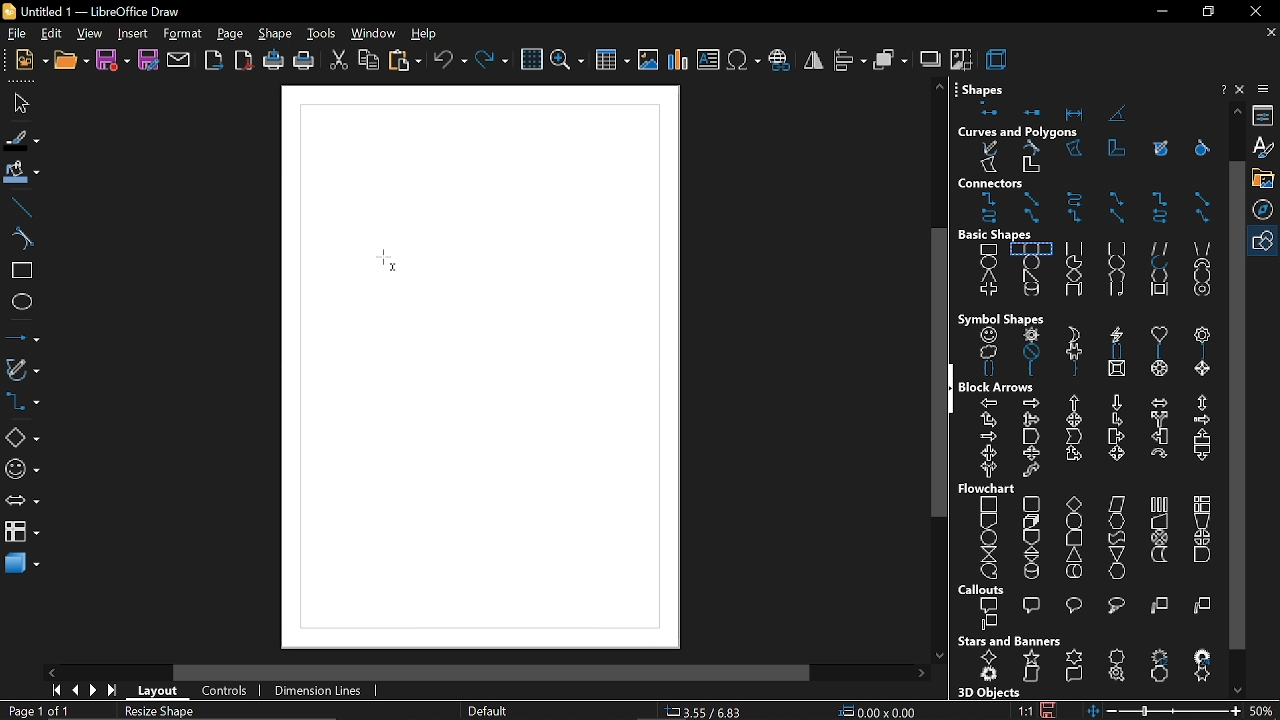 This screenshot has width=1280, height=720. Describe the element at coordinates (277, 35) in the screenshot. I see `shape` at that location.